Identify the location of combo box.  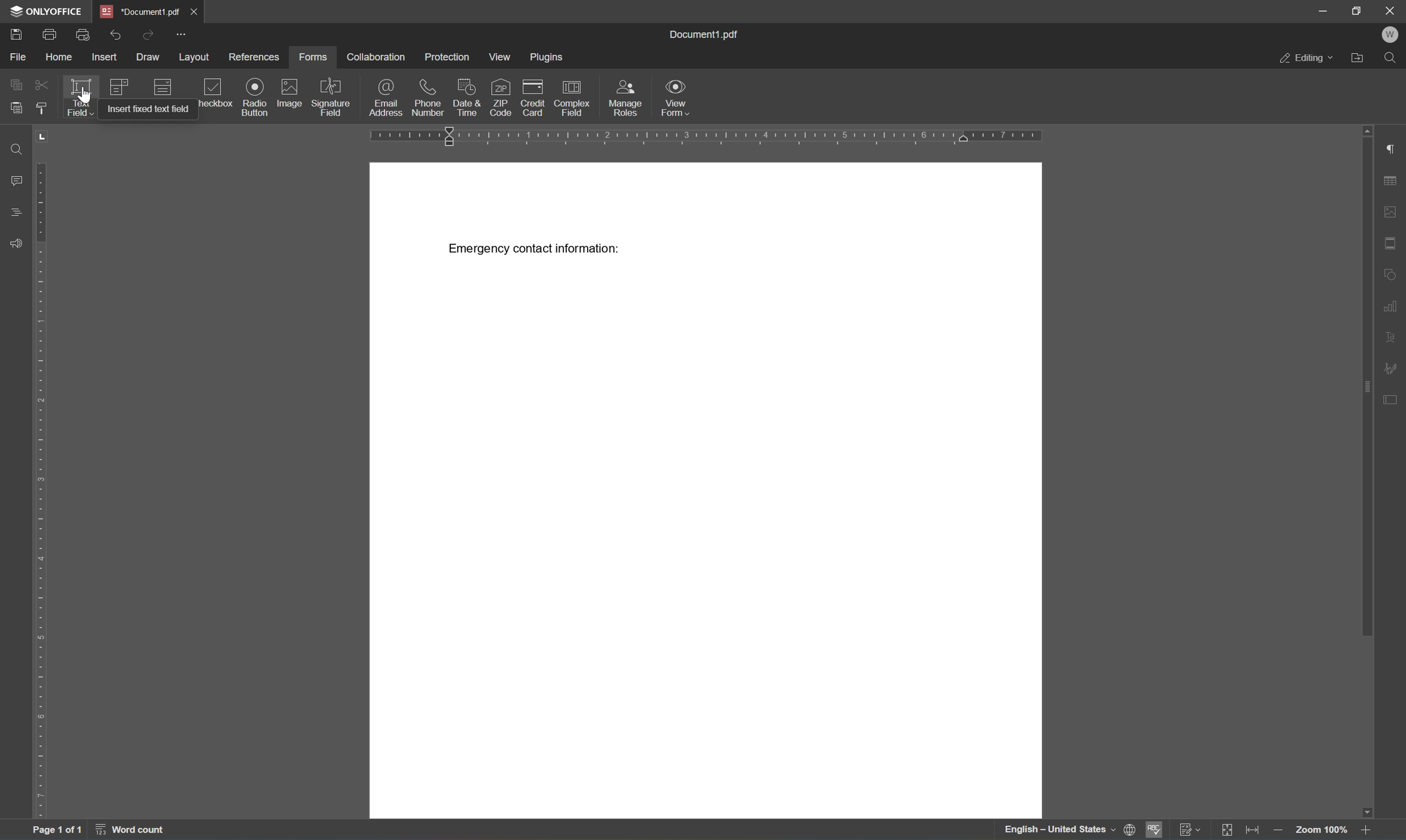
(118, 86).